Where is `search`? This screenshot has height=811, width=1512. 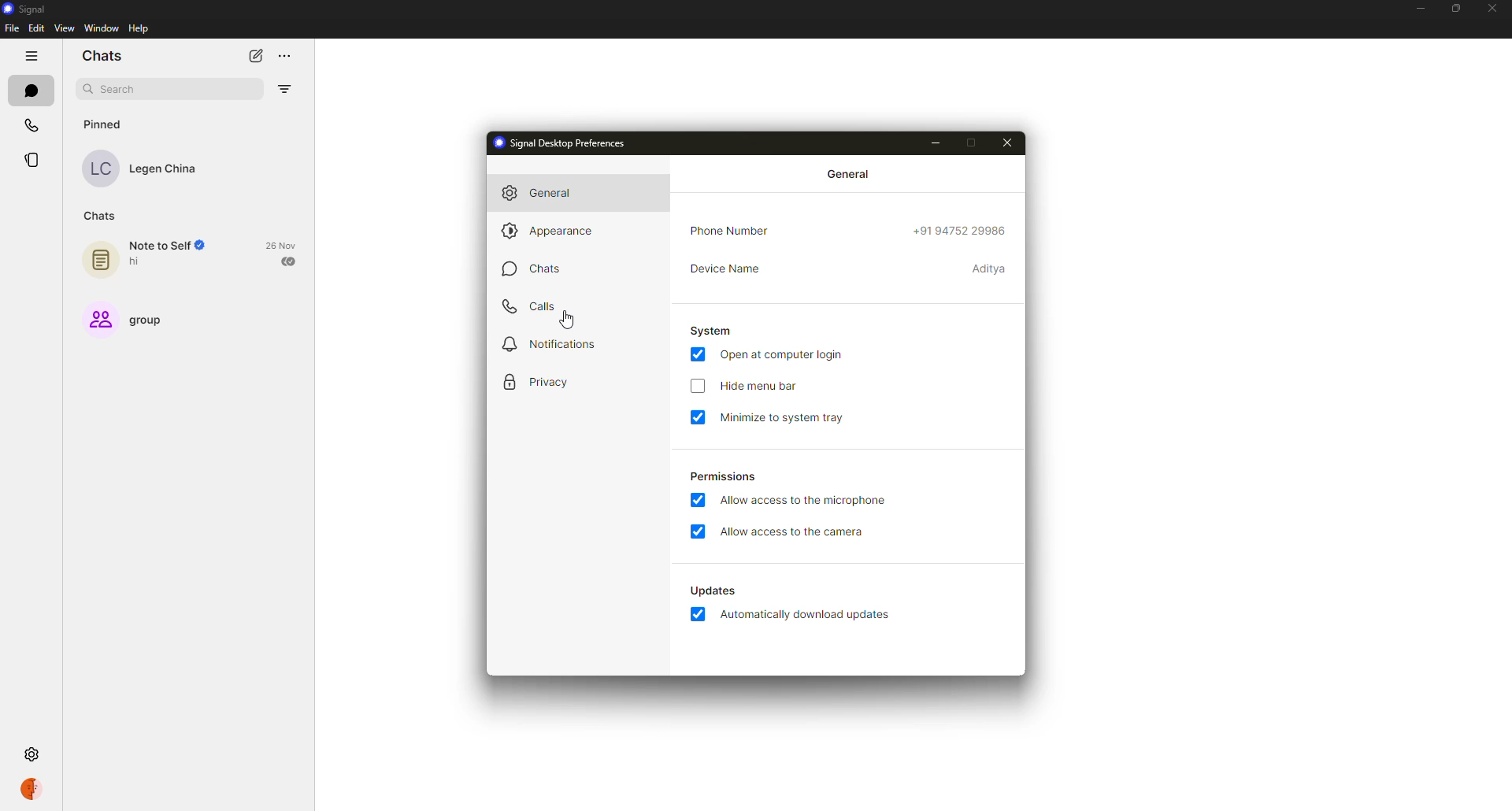 search is located at coordinates (121, 90).